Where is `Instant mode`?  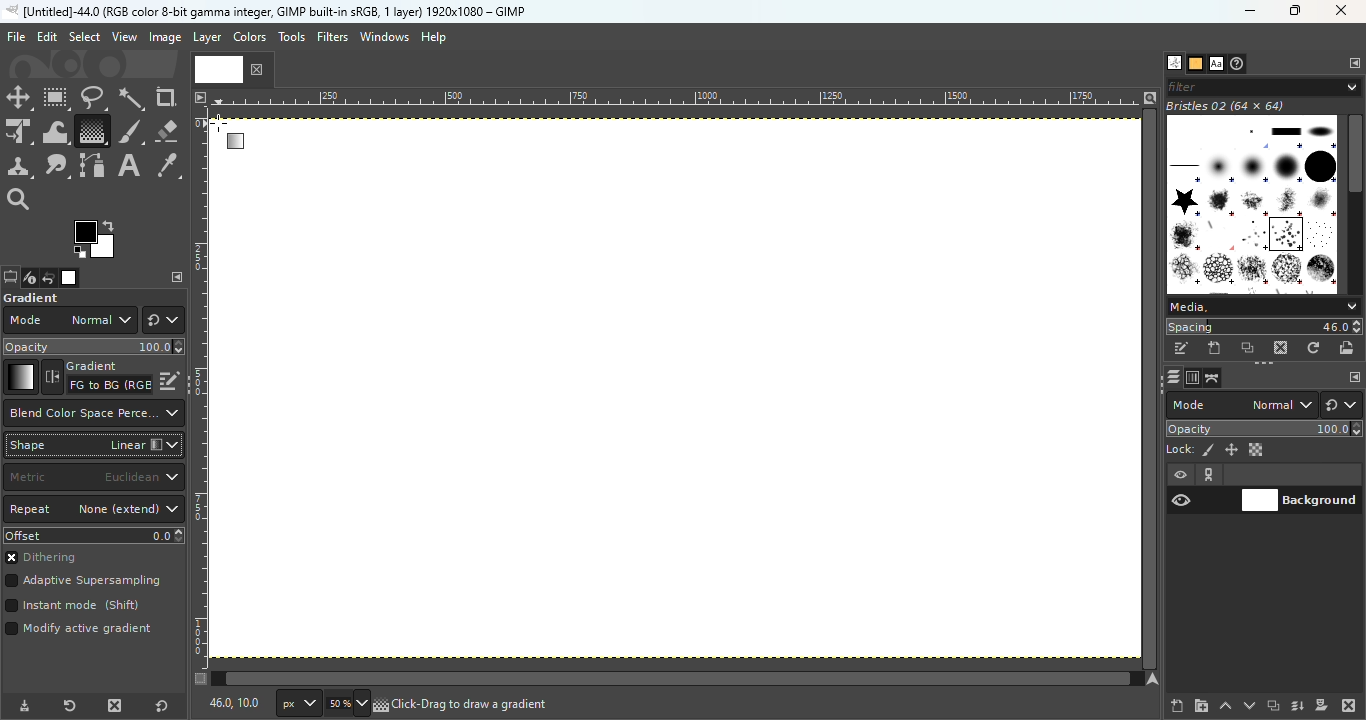
Instant mode is located at coordinates (71, 607).